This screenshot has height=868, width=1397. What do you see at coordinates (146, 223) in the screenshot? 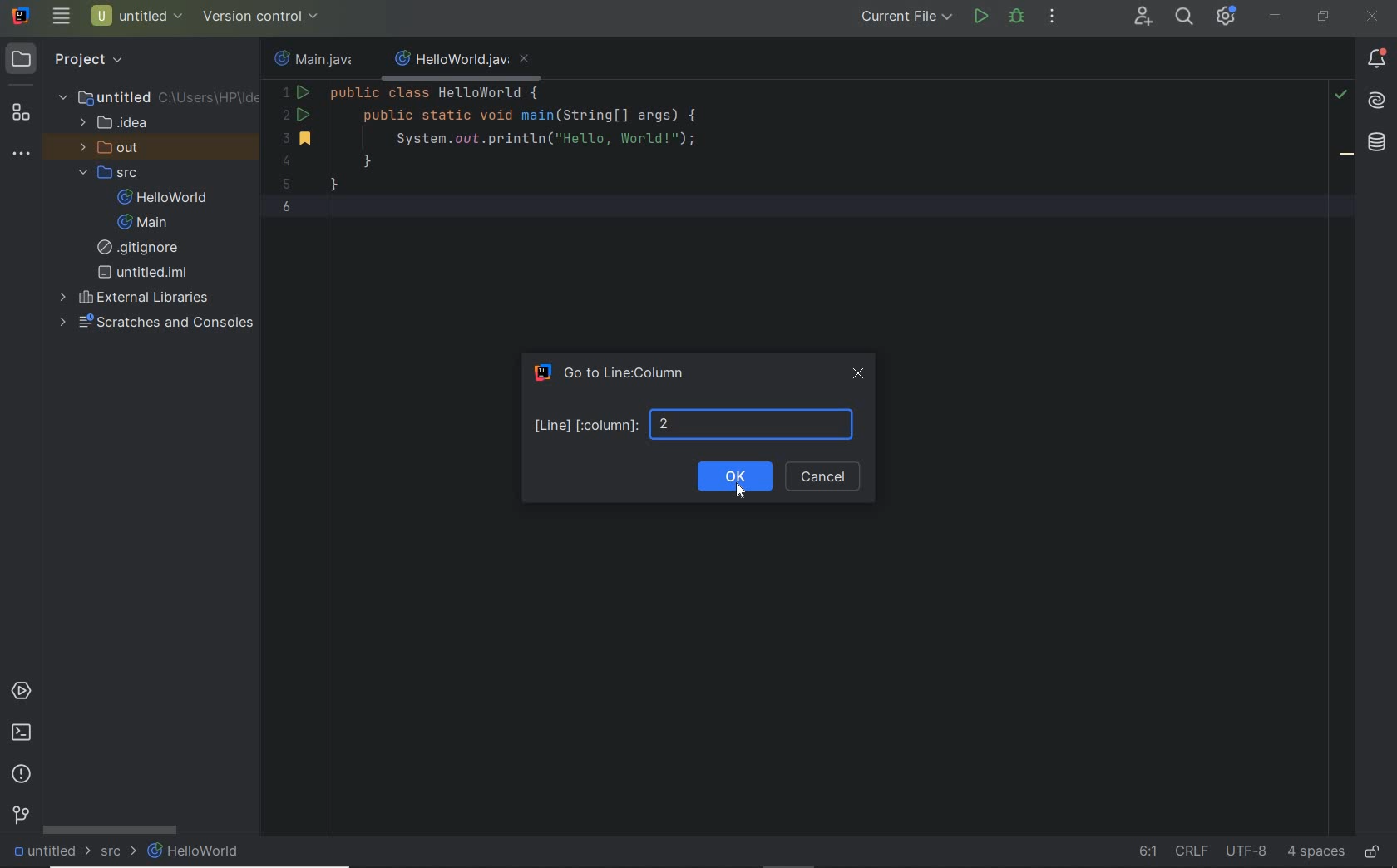
I see `Main` at bounding box center [146, 223].